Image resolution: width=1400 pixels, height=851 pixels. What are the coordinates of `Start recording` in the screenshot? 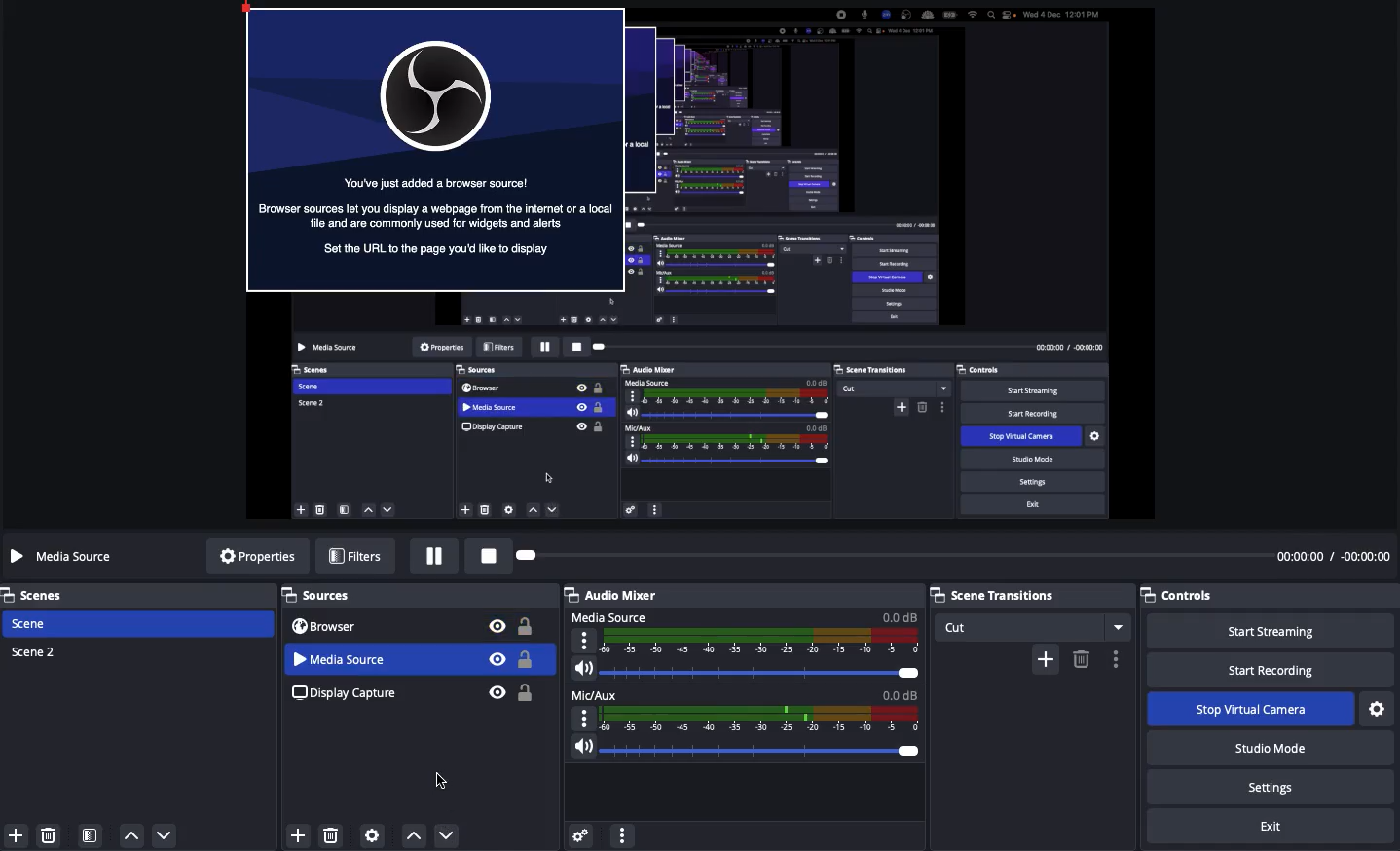 It's located at (1271, 669).